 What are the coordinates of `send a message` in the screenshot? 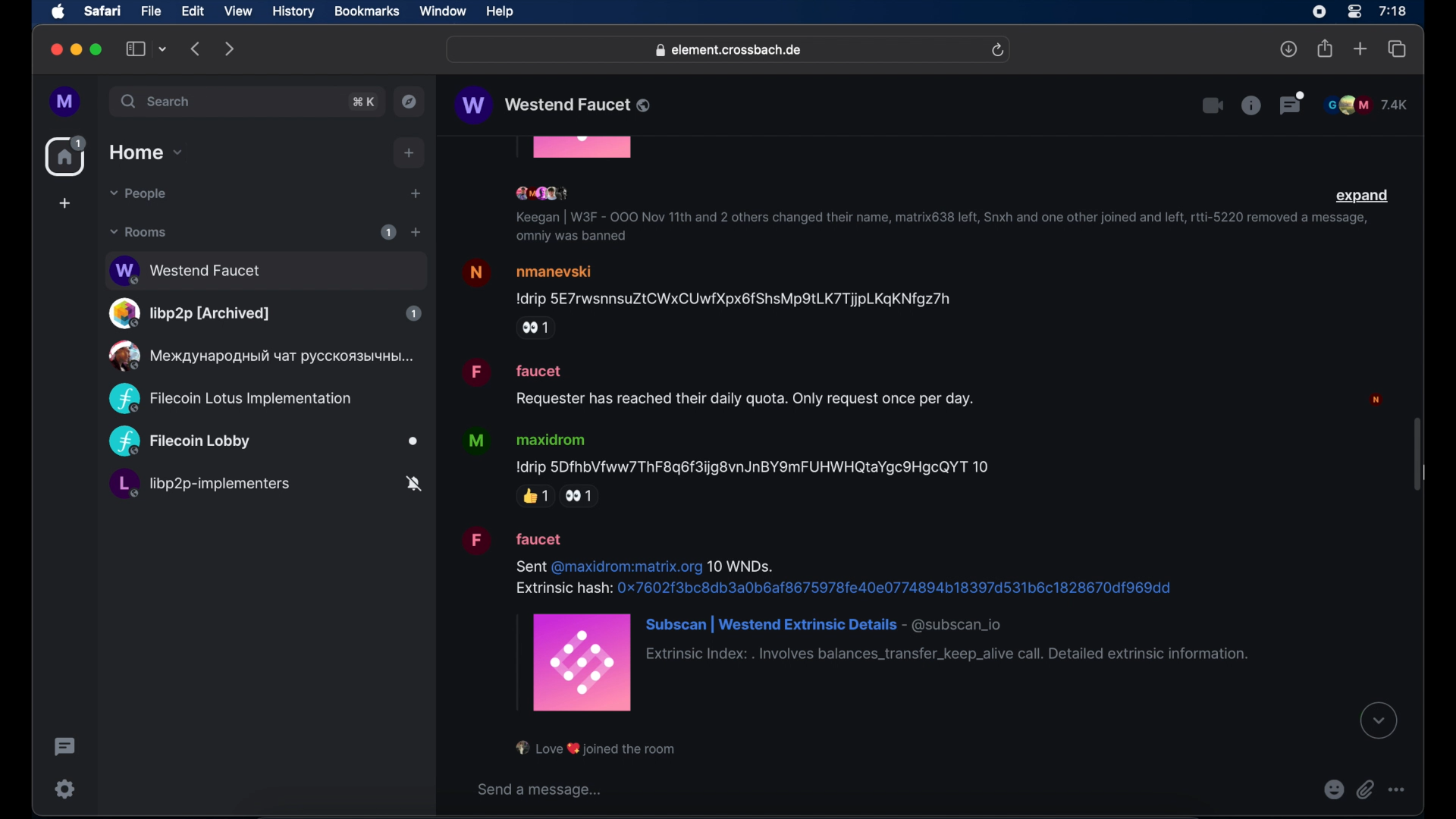 It's located at (542, 789).